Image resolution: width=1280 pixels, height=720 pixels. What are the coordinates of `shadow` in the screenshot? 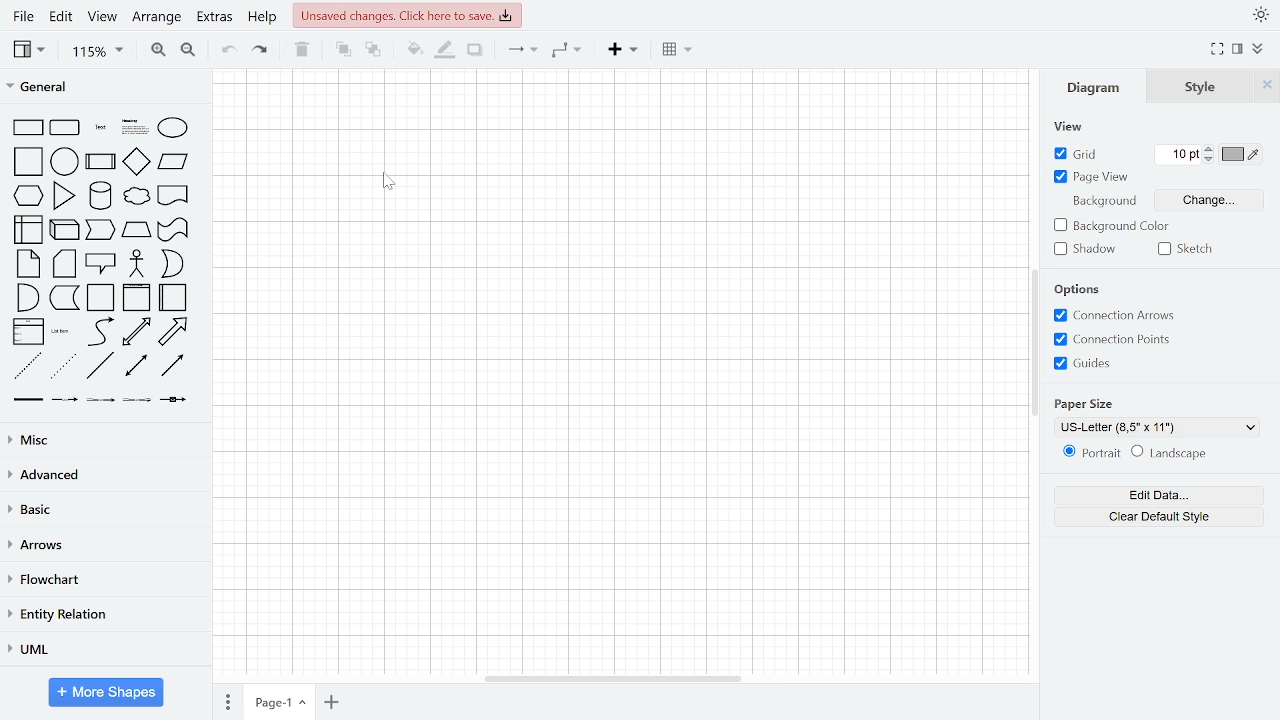 It's located at (475, 51).